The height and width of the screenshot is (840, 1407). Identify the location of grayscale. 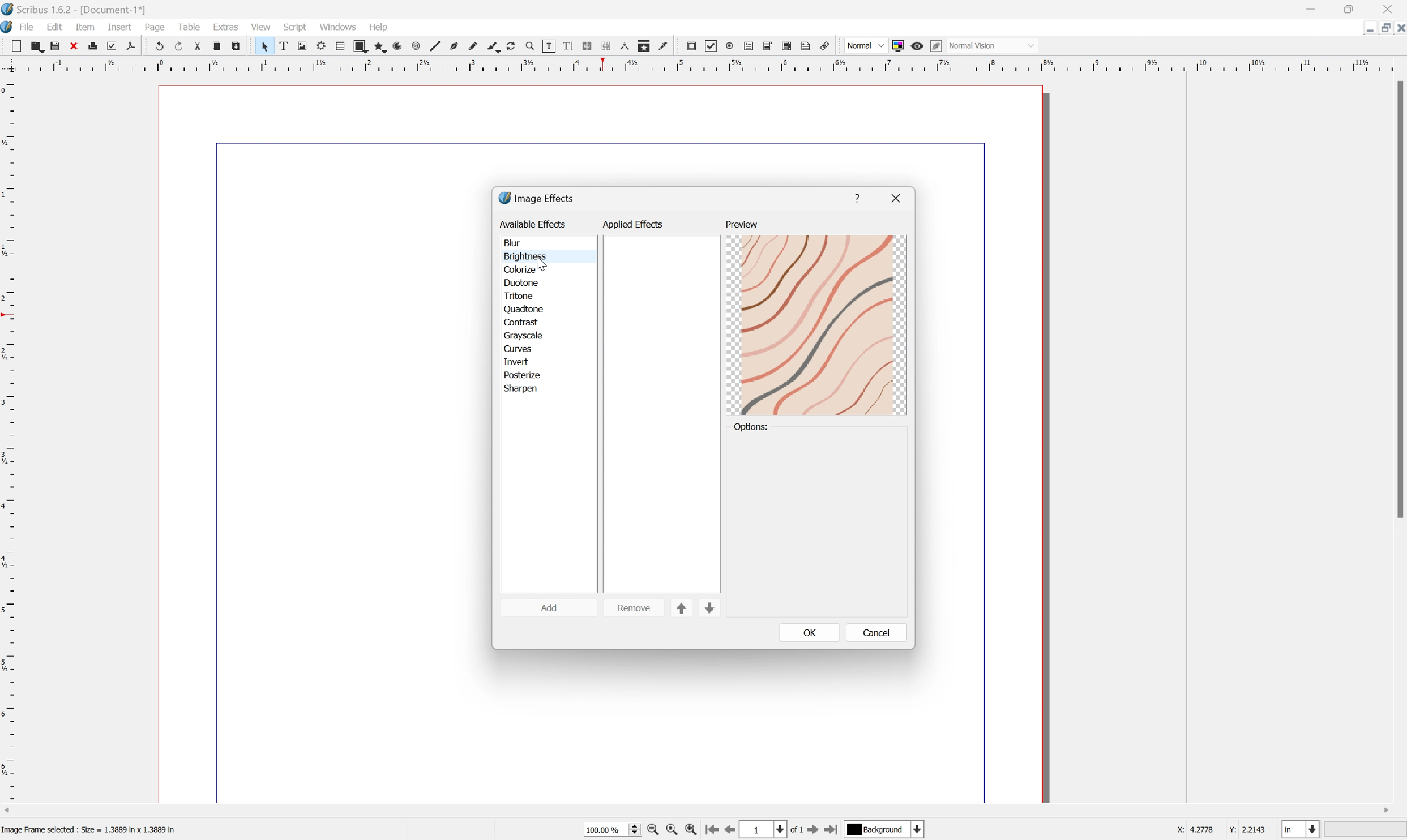
(524, 335).